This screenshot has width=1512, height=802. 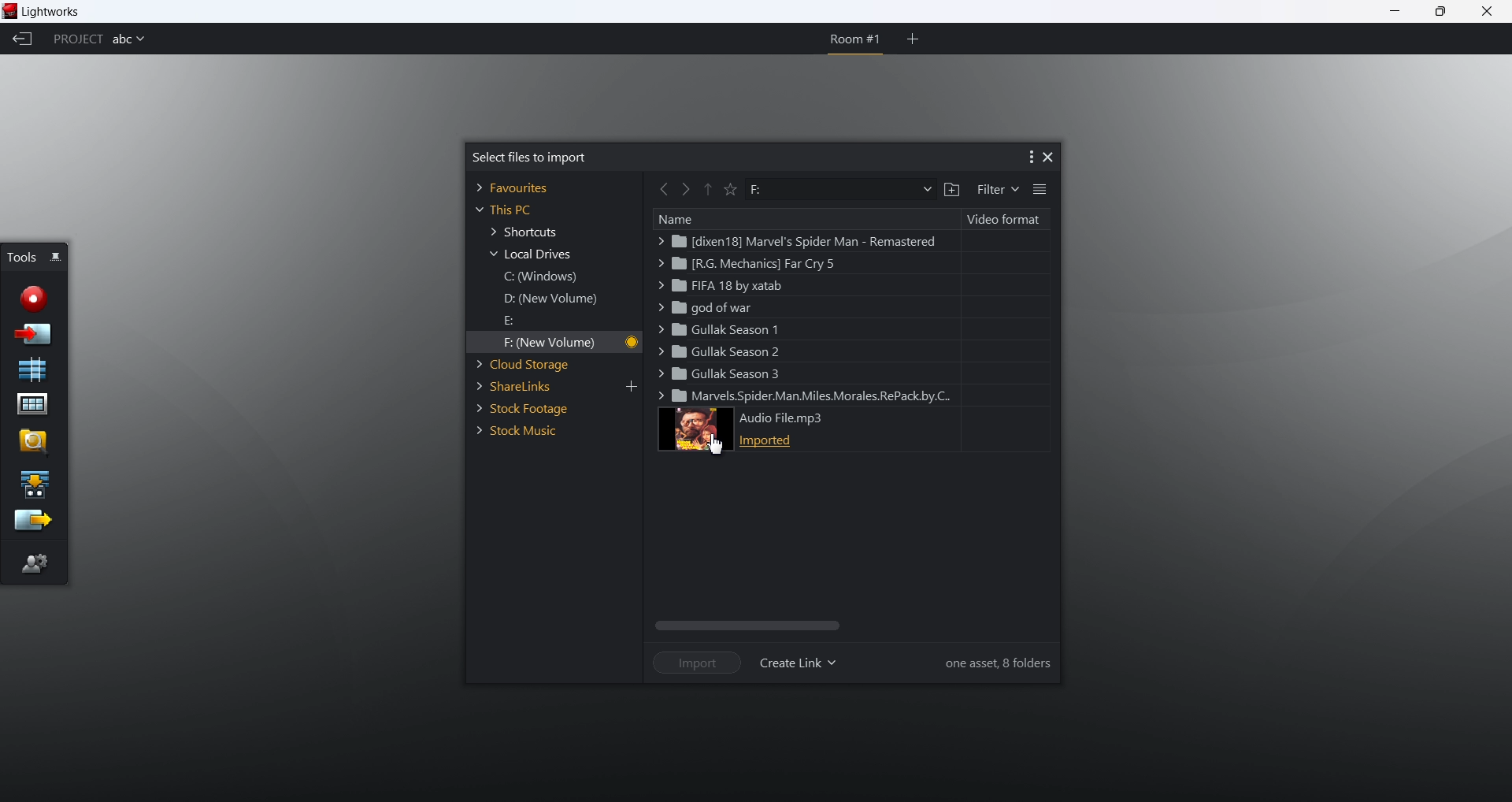 What do you see at coordinates (807, 396) in the screenshot?
I see `miles morales` at bounding box center [807, 396].